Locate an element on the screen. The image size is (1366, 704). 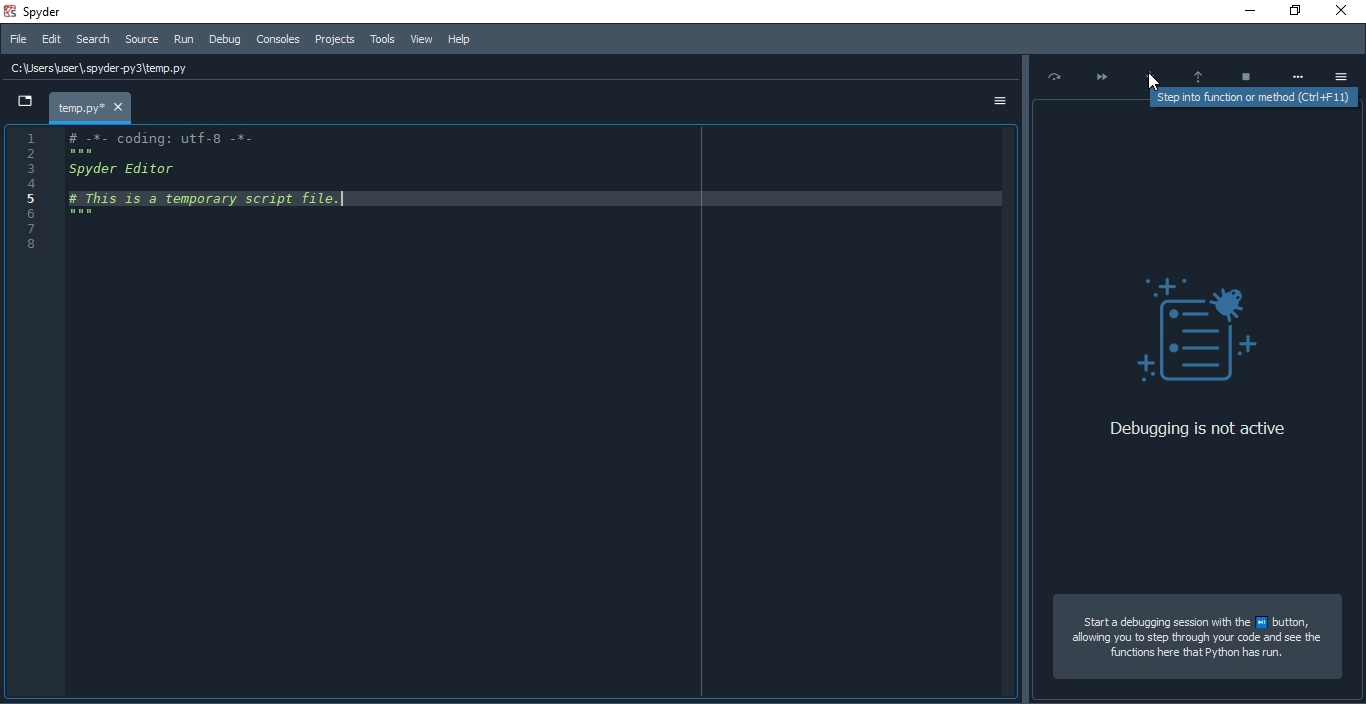
Step nto function or method (Ctrl +11) is located at coordinates (1258, 96).